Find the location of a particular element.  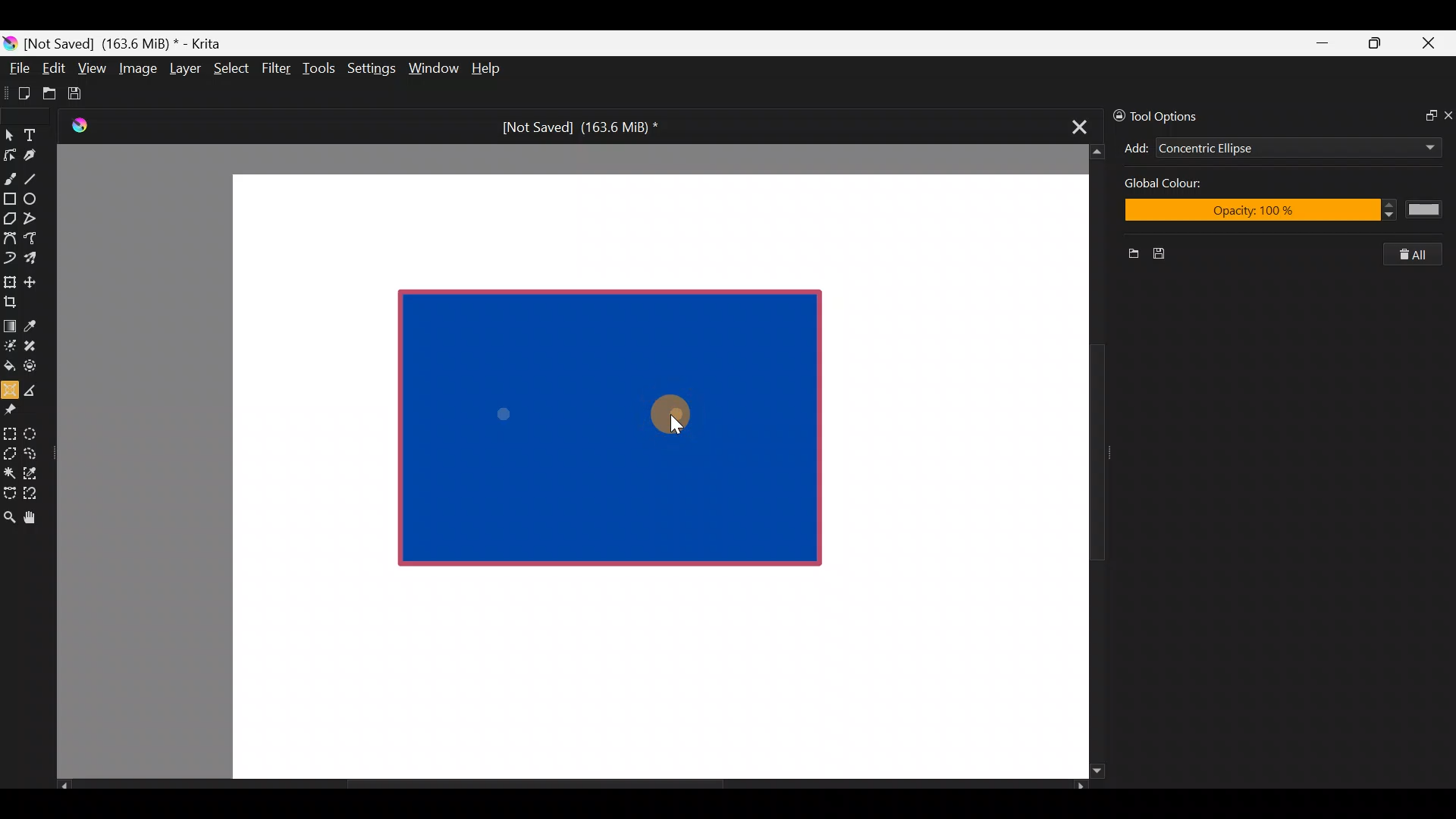

Krita logo is located at coordinates (10, 42).